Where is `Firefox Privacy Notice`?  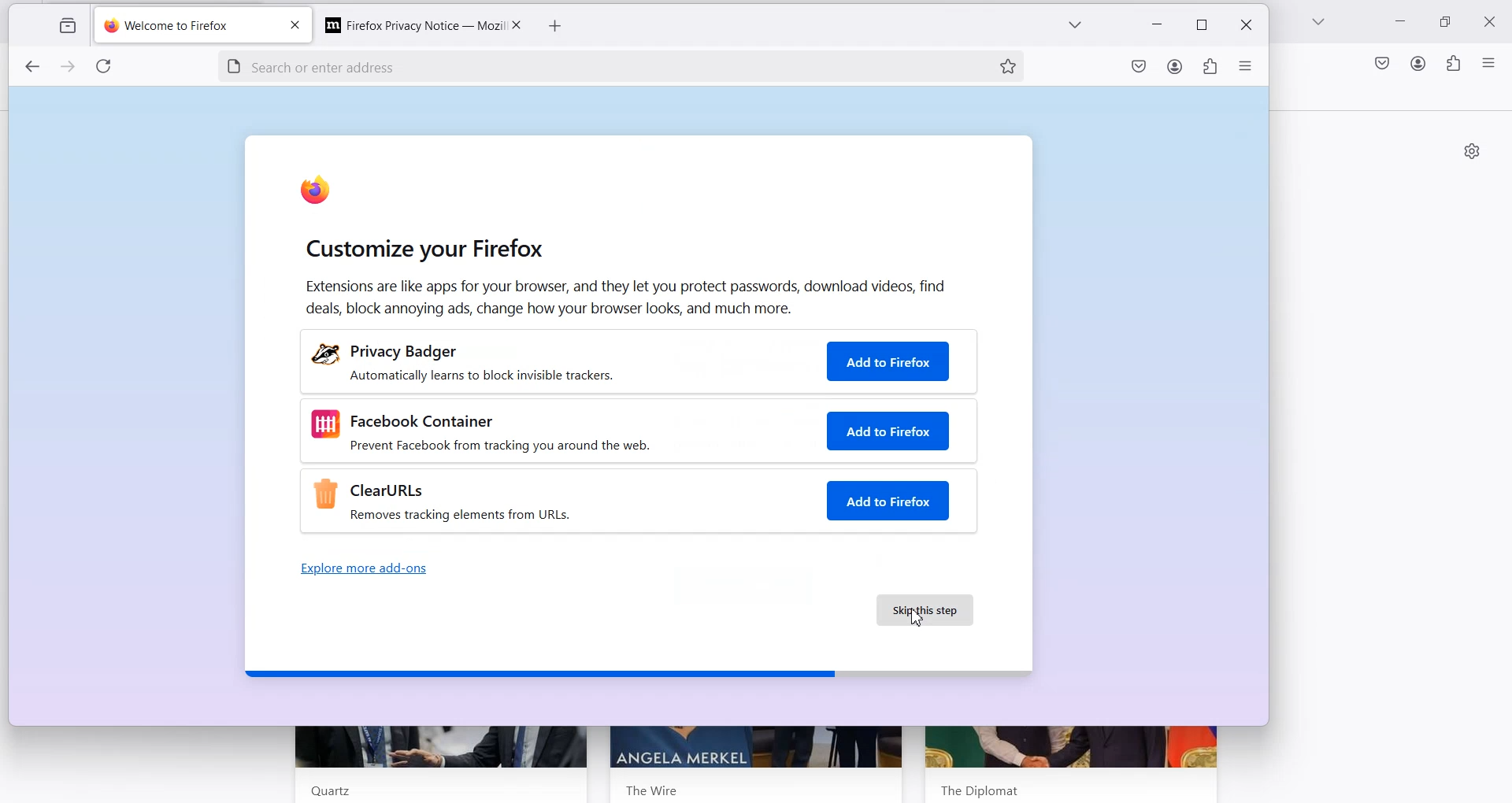 Firefox Privacy Notice is located at coordinates (406, 24).